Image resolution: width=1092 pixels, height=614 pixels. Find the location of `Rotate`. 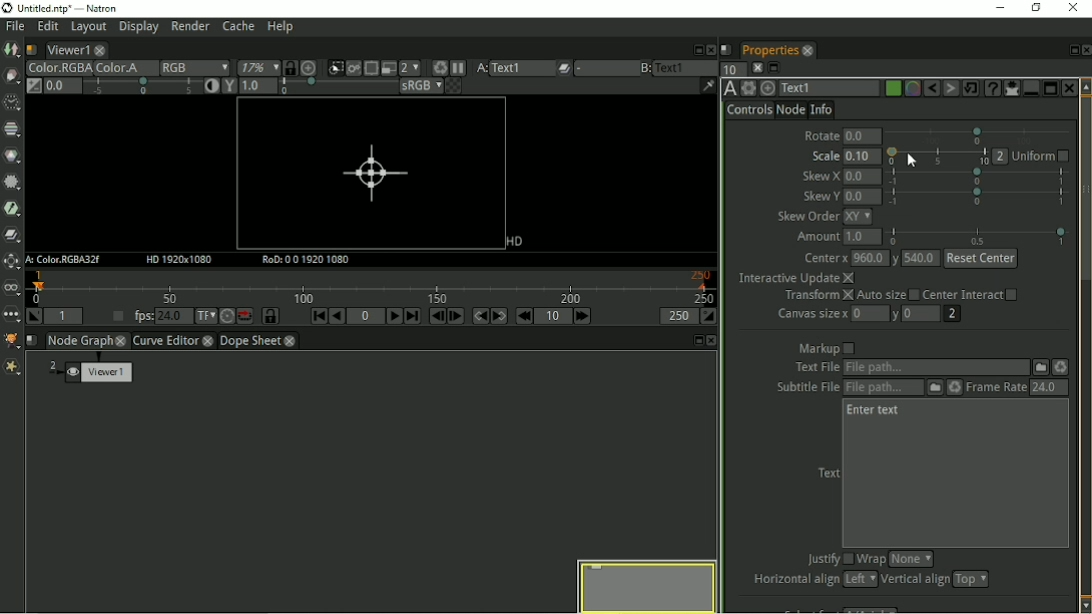

Rotate is located at coordinates (938, 135).